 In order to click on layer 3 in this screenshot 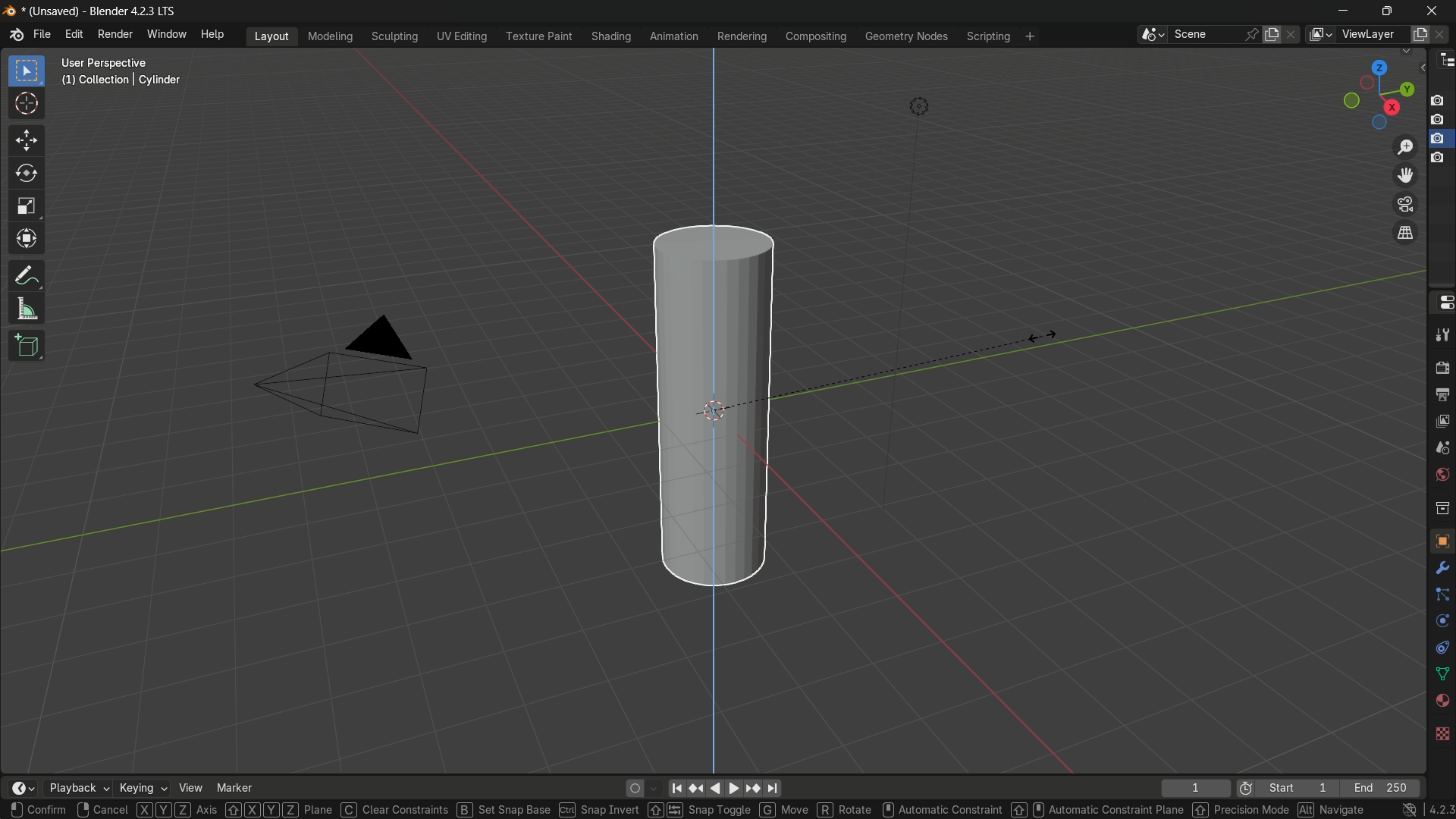, I will do `click(1439, 138)`.